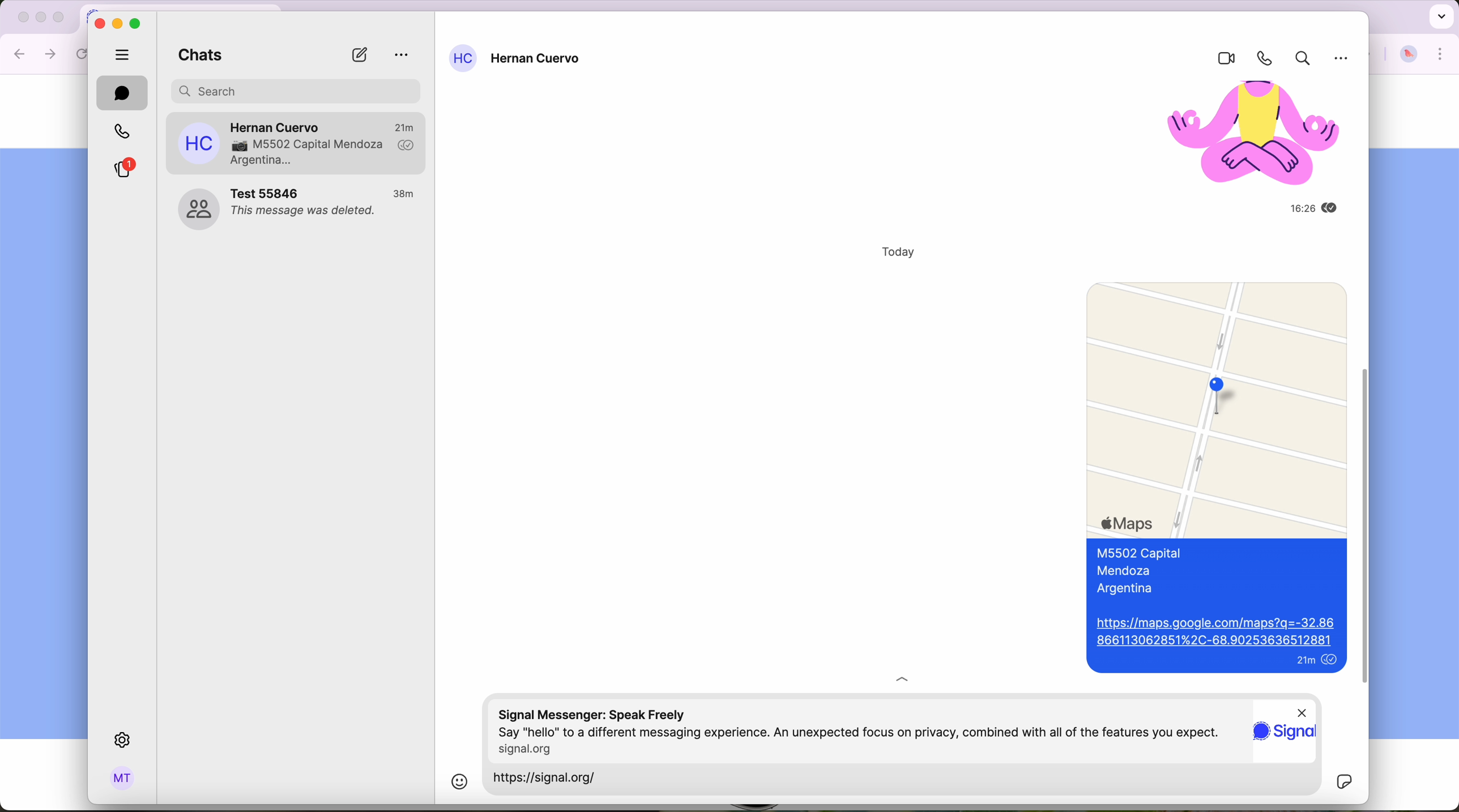 This screenshot has width=1459, height=812. I want to click on , so click(1302, 711).